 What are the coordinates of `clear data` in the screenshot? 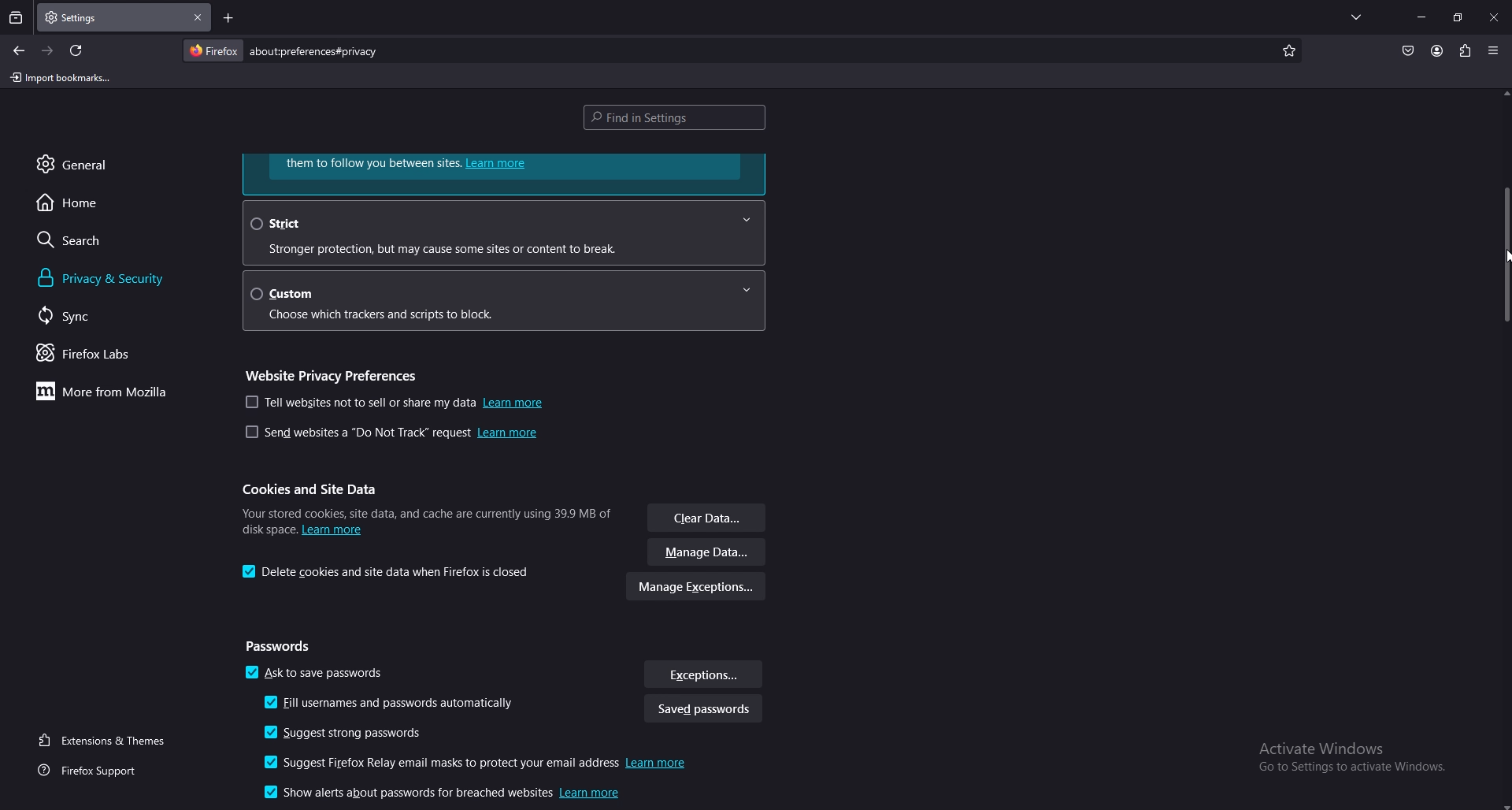 It's located at (708, 519).